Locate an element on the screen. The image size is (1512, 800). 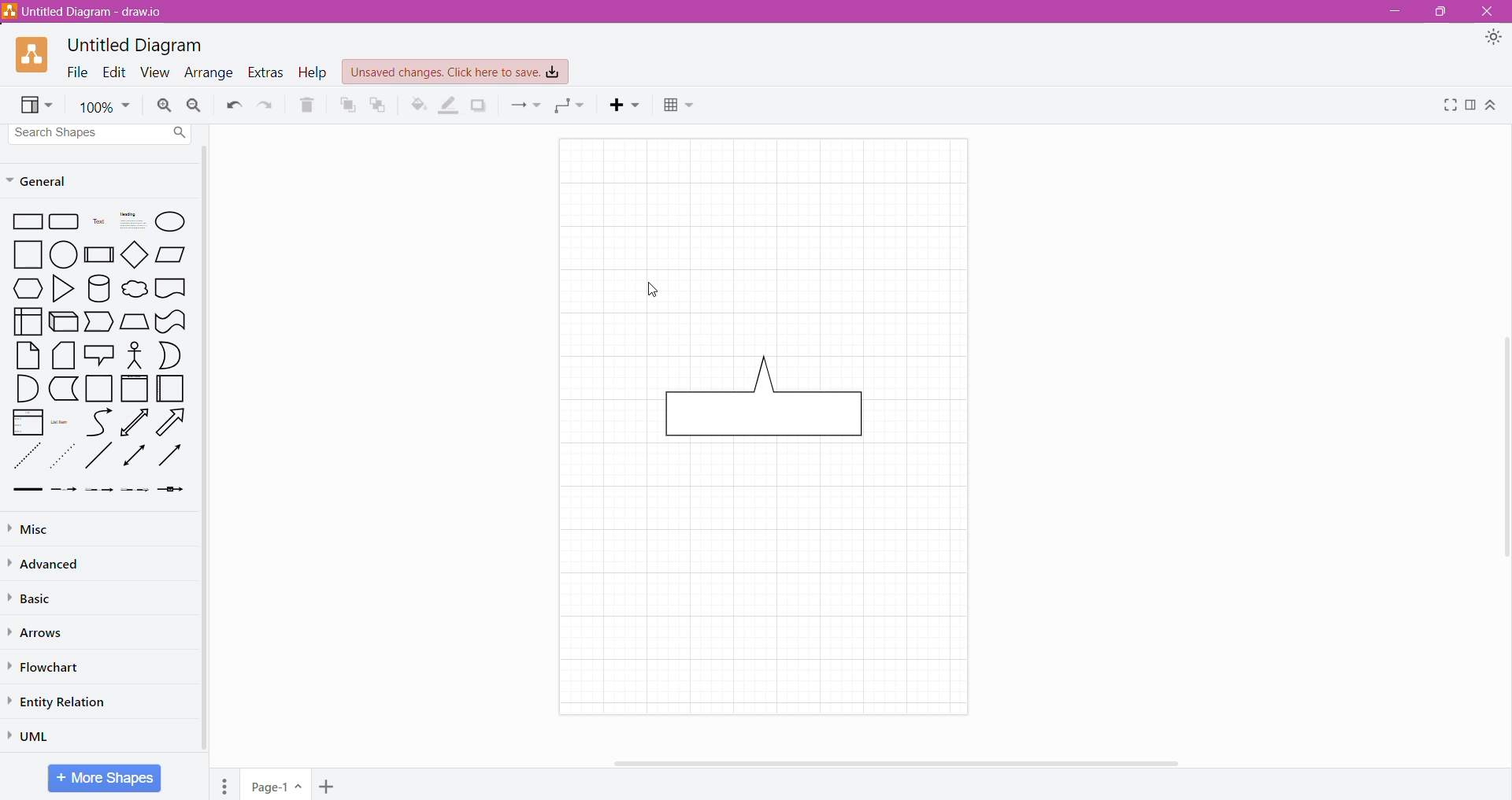
To Front is located at coordinates (346, 105).